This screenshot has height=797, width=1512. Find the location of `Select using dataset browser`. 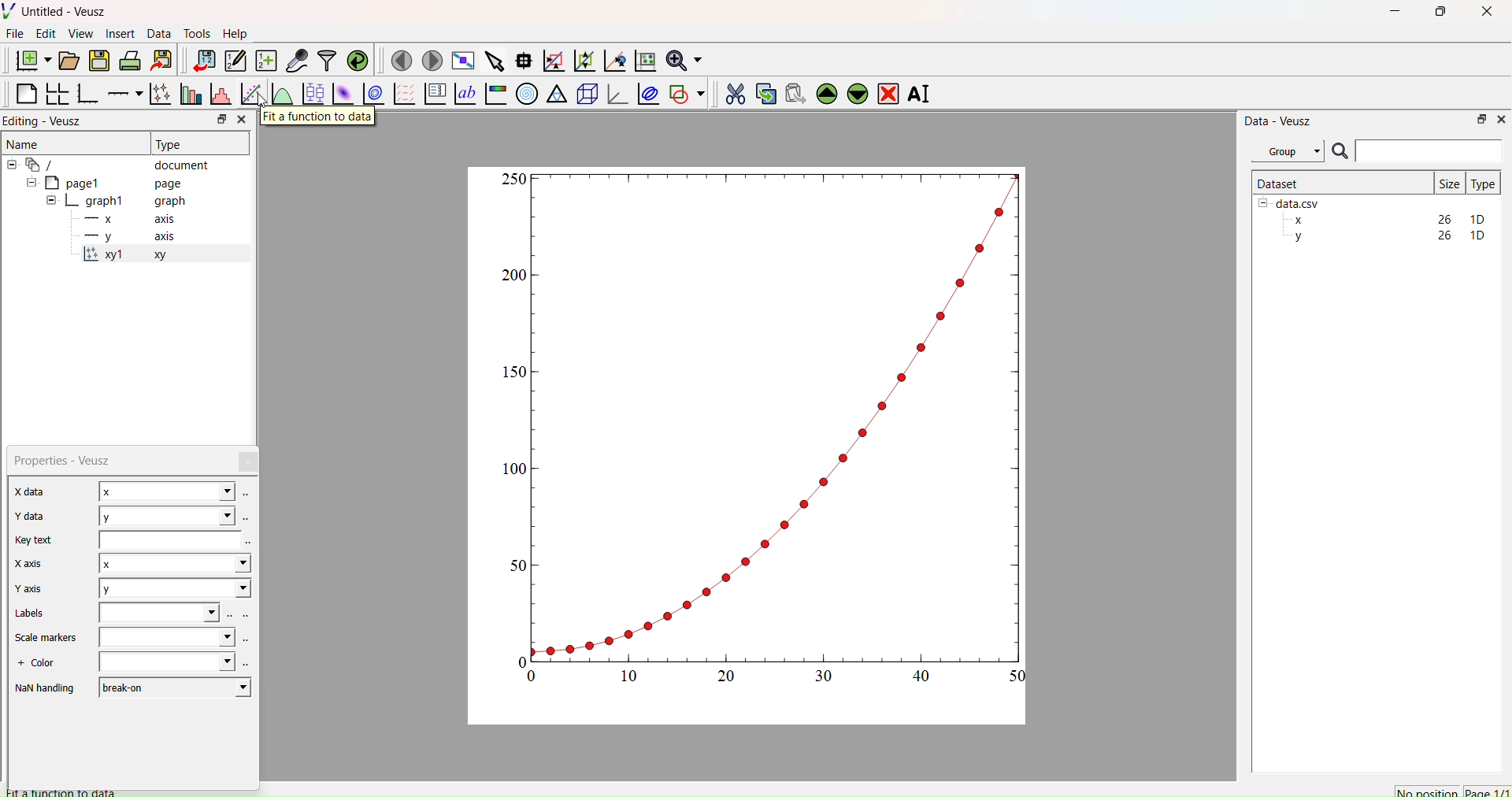

Select using dataset browser is located at coordinates (250, 639).